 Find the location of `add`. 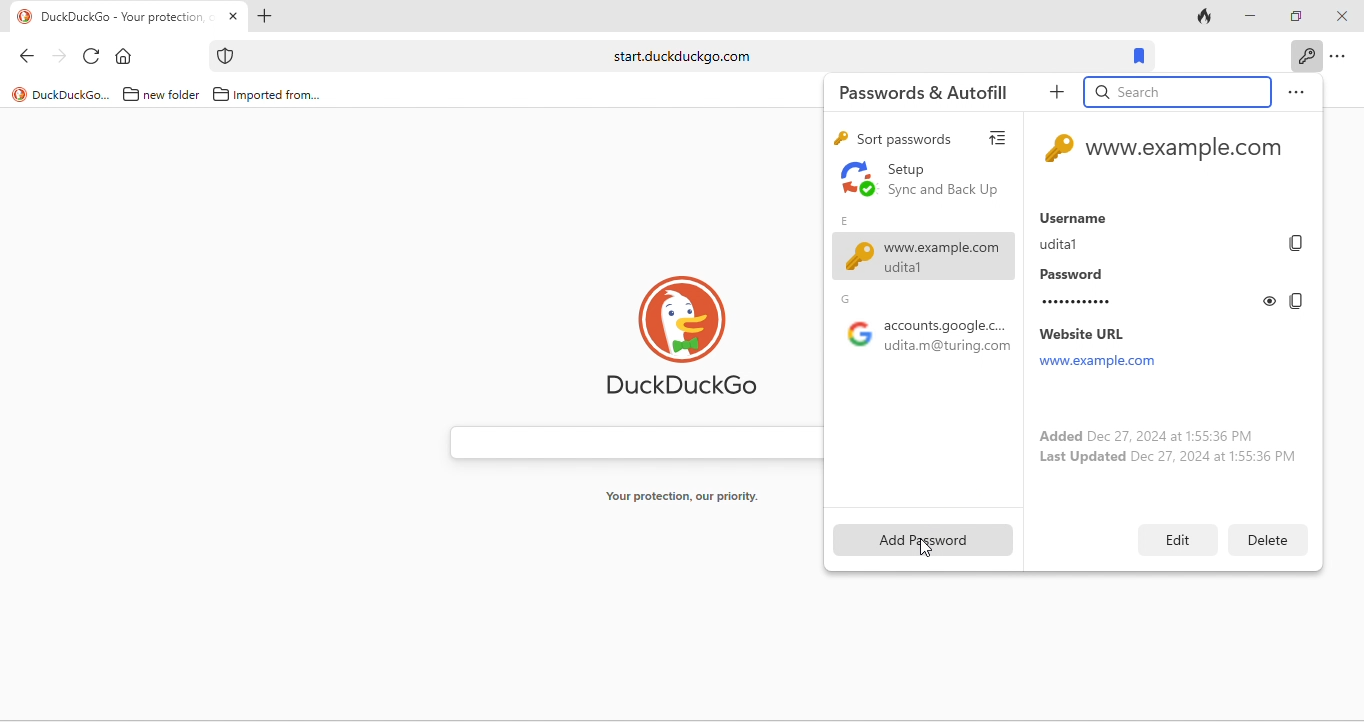

add is located at coordinates (1060, 93).